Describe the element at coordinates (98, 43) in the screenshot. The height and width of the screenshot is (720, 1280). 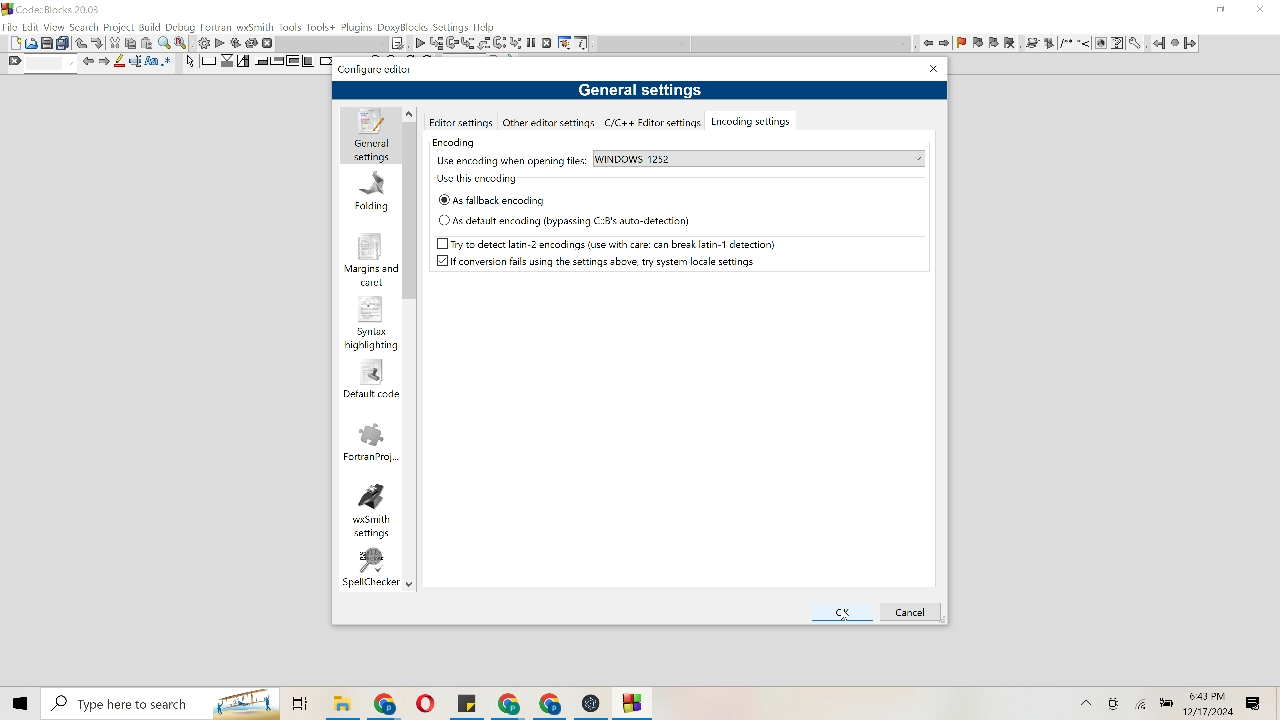
I see `Move down` at that location.